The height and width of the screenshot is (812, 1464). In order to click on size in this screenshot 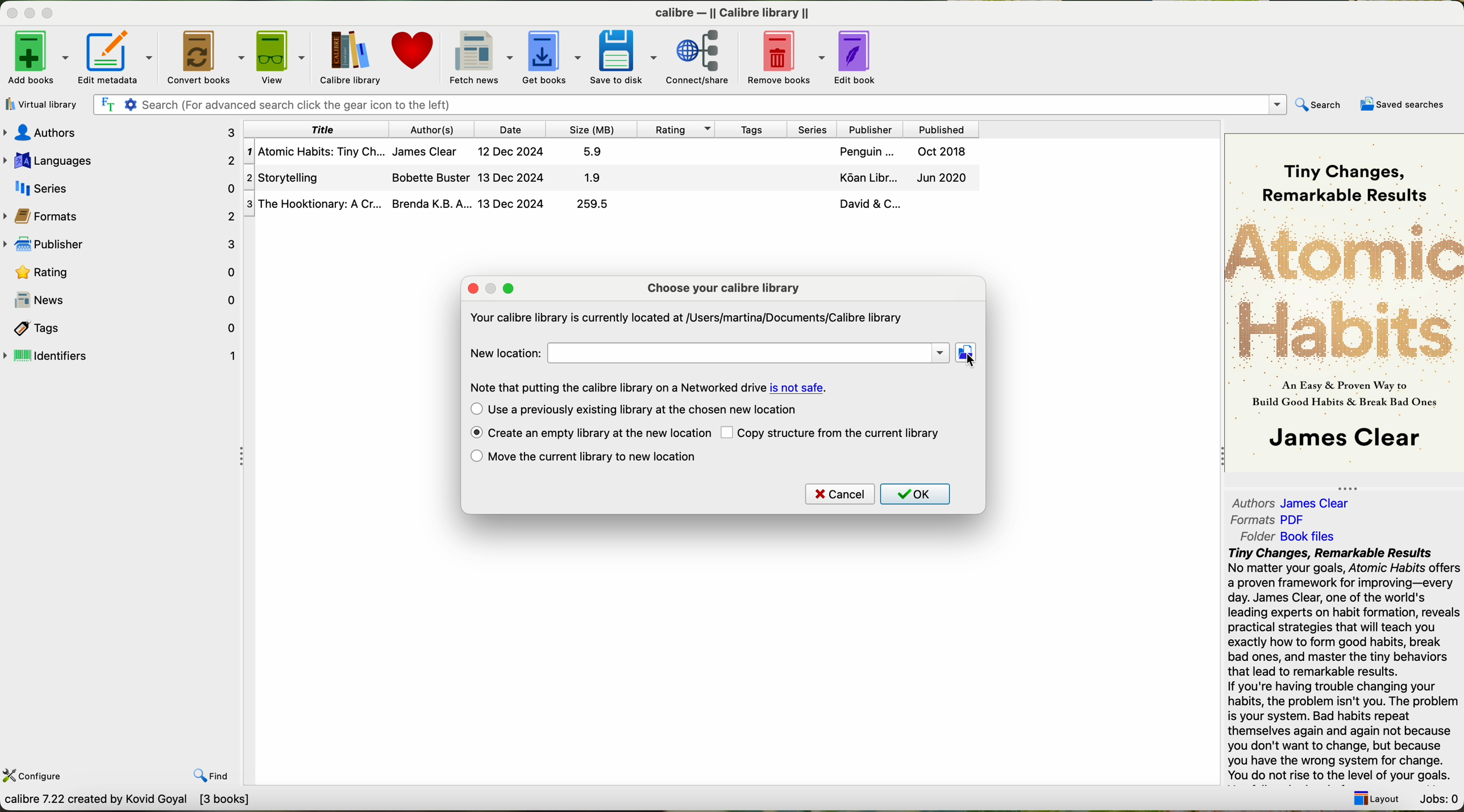, I will do `click(590, 129)`.